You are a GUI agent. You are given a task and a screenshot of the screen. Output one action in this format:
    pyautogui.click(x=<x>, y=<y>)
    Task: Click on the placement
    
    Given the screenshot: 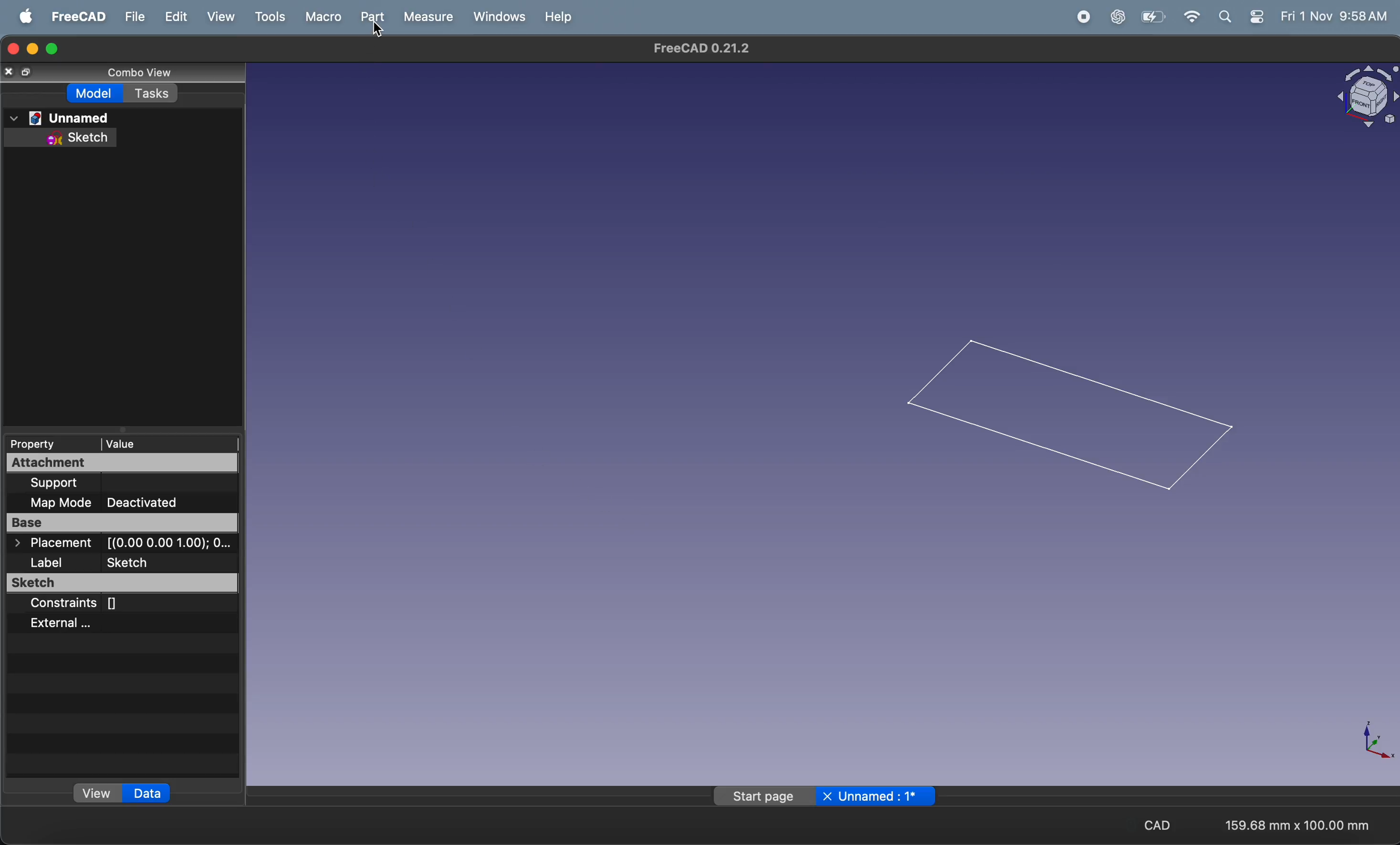 What is the action you would take?
    pyautogui.click(x=118, y=543)
    